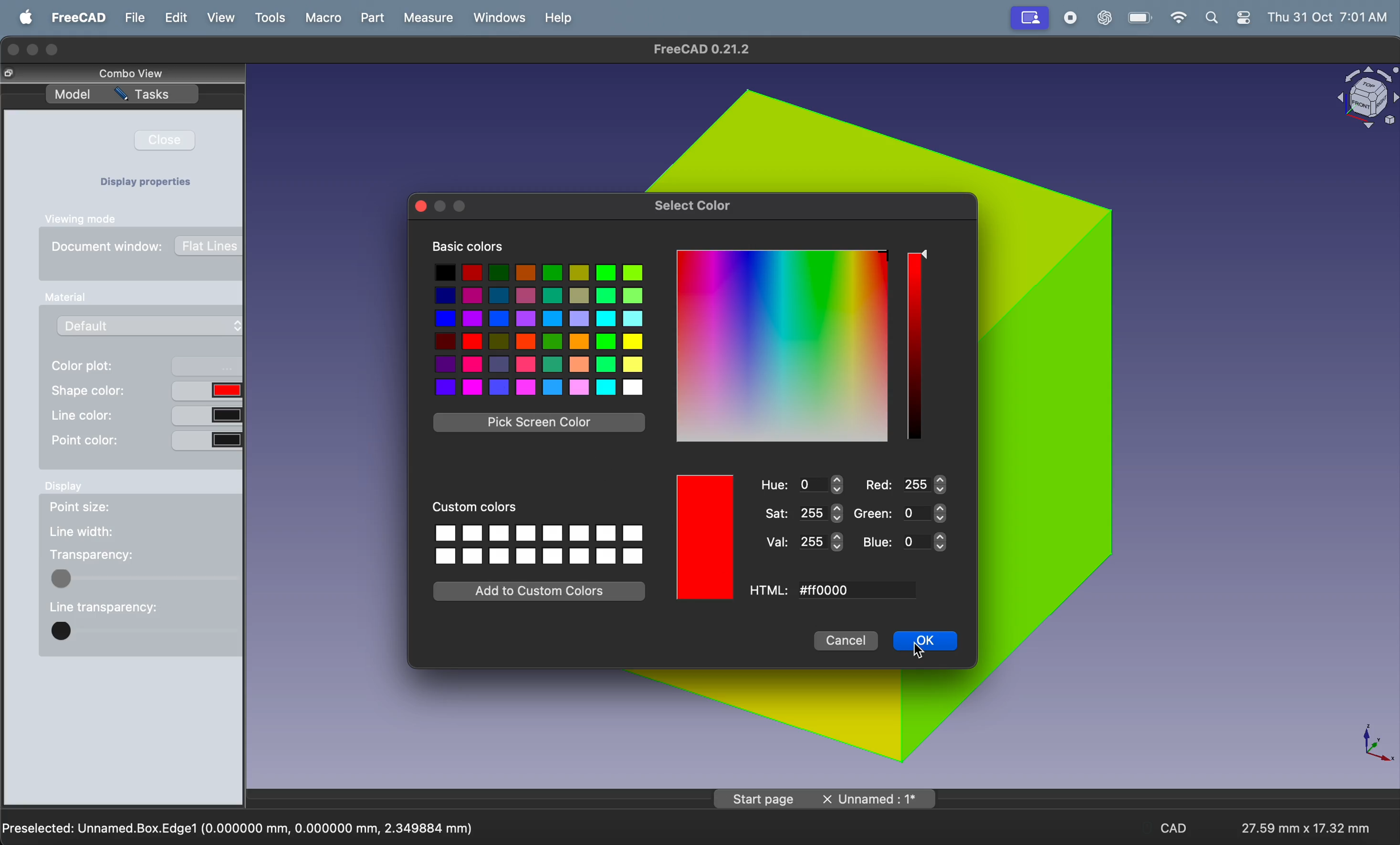 This screenshot has width=1400, height=845. Describe the element at coordinates (14, 48) in the screenshot. I see `closing window` at that location.